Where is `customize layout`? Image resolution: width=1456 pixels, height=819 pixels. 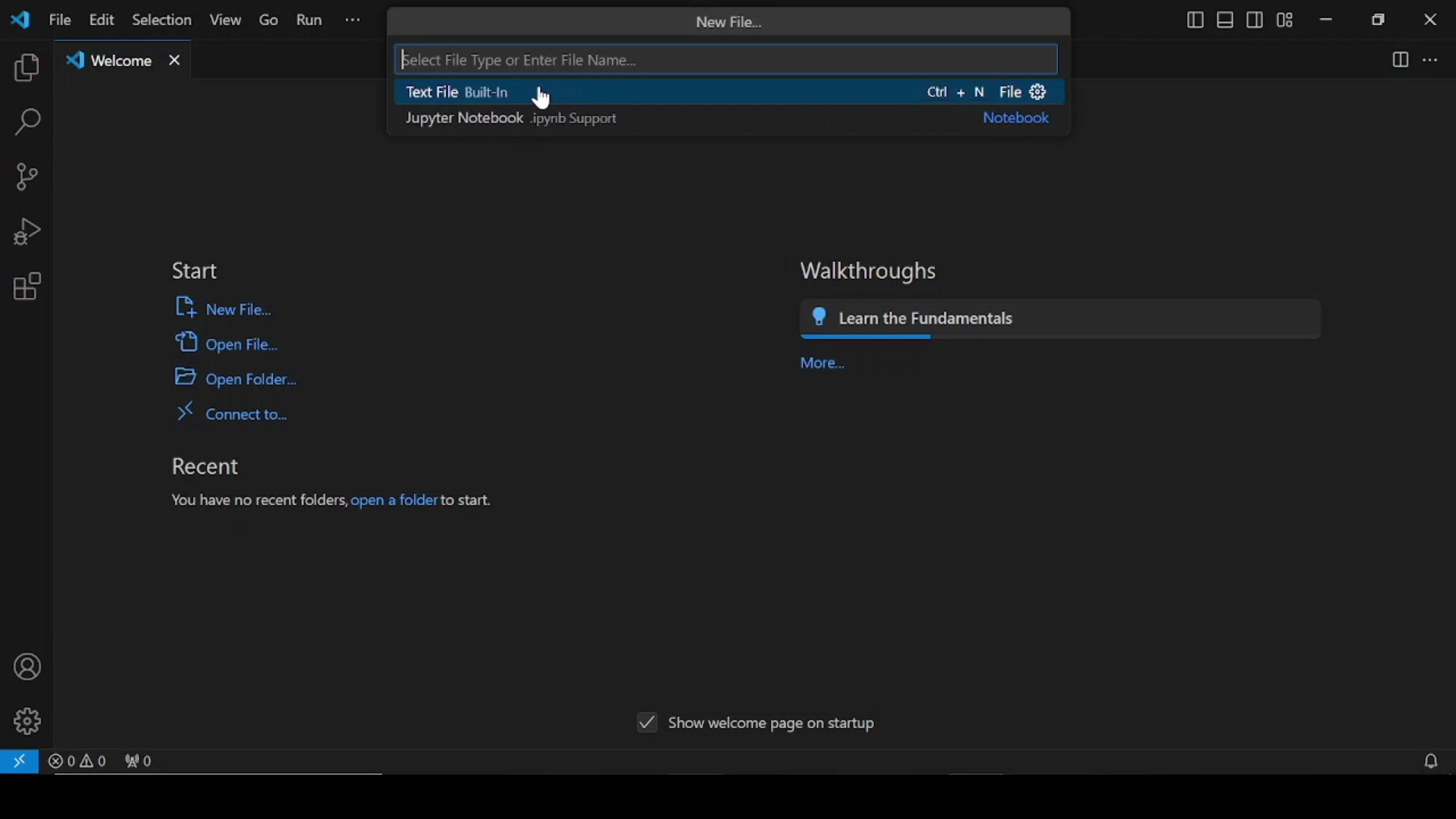 customize layout is located at coordinates (1285, 20).